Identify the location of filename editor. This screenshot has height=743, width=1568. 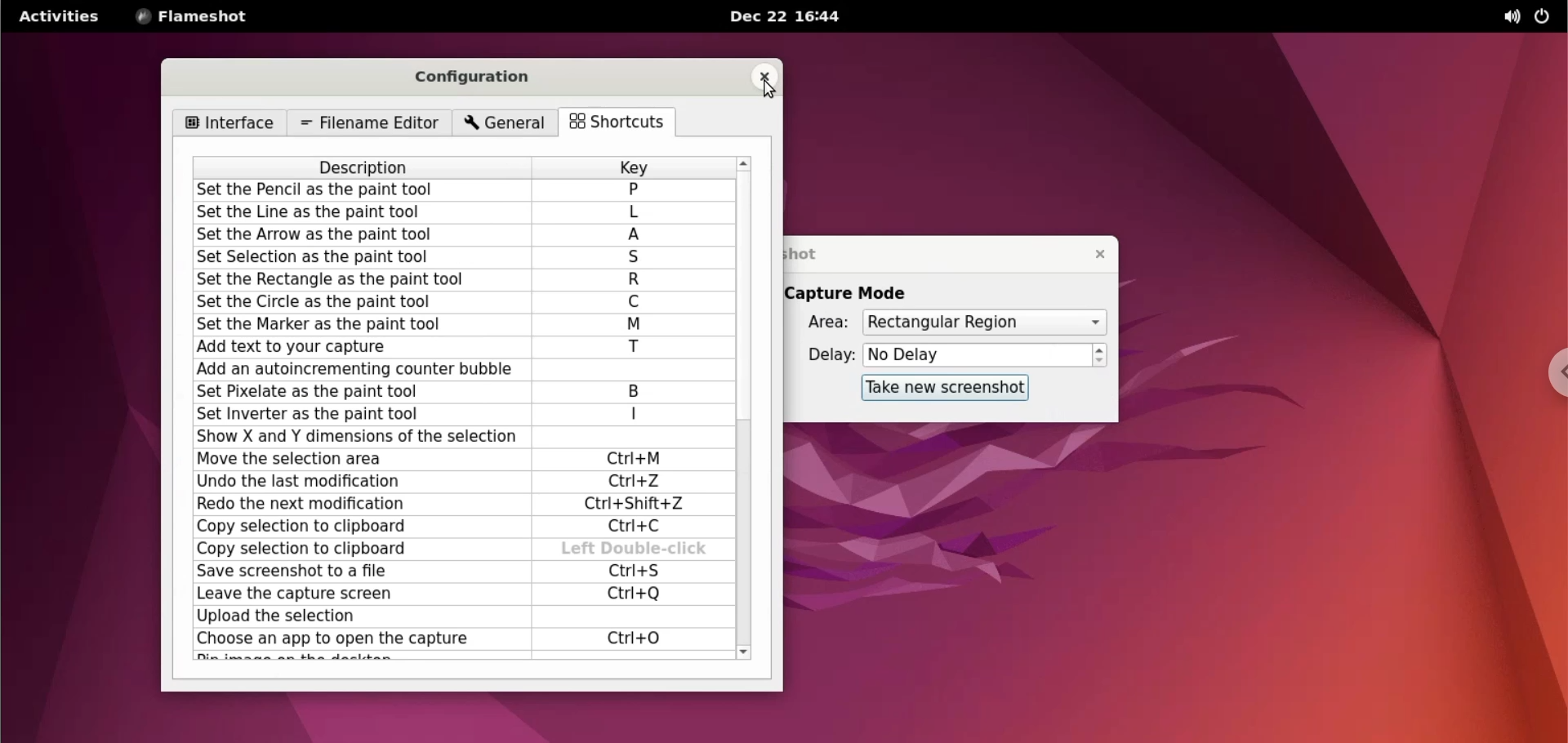
(367, 123).